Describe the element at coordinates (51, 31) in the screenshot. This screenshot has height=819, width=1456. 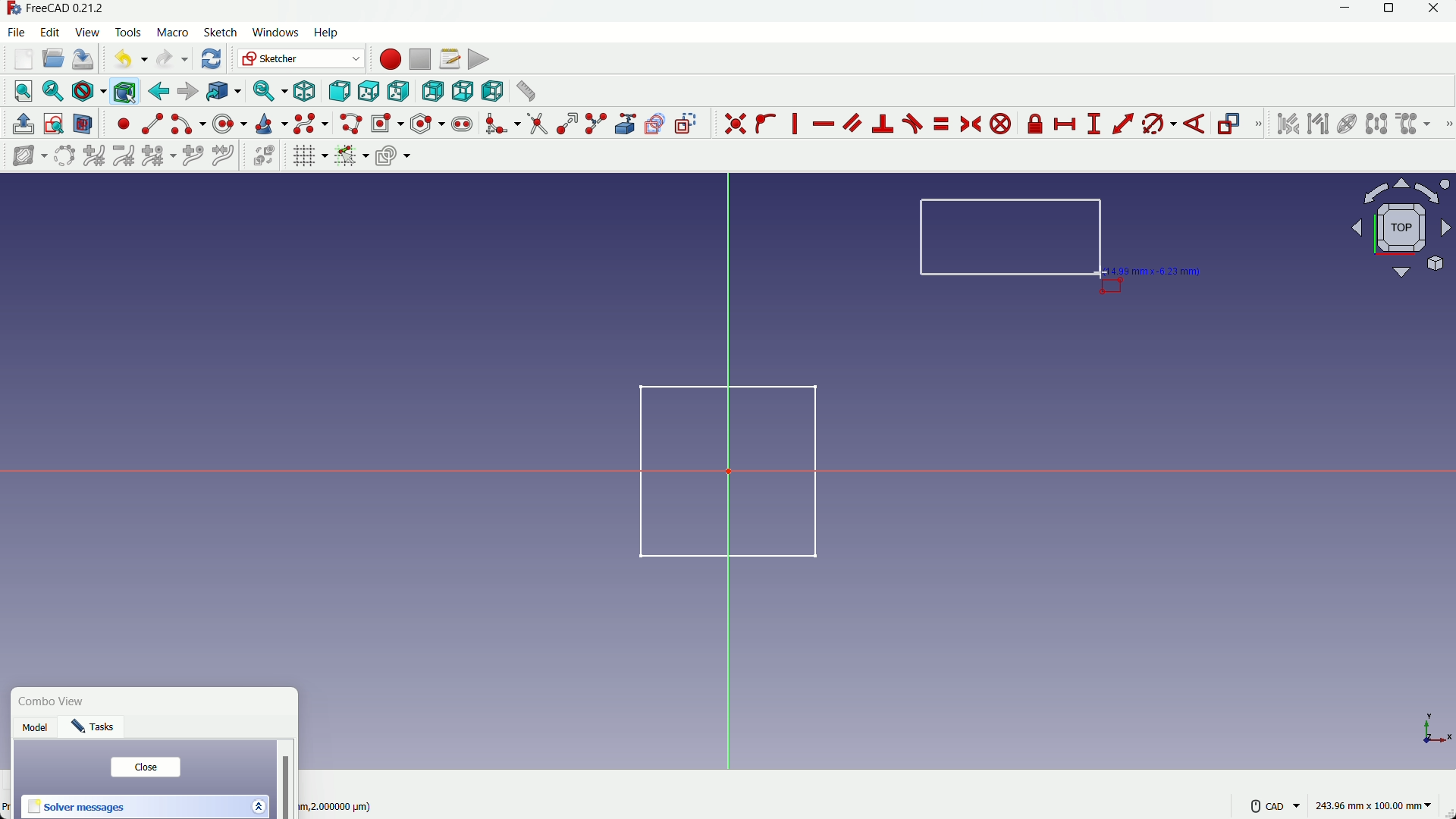
I see `edit menu` at that location.